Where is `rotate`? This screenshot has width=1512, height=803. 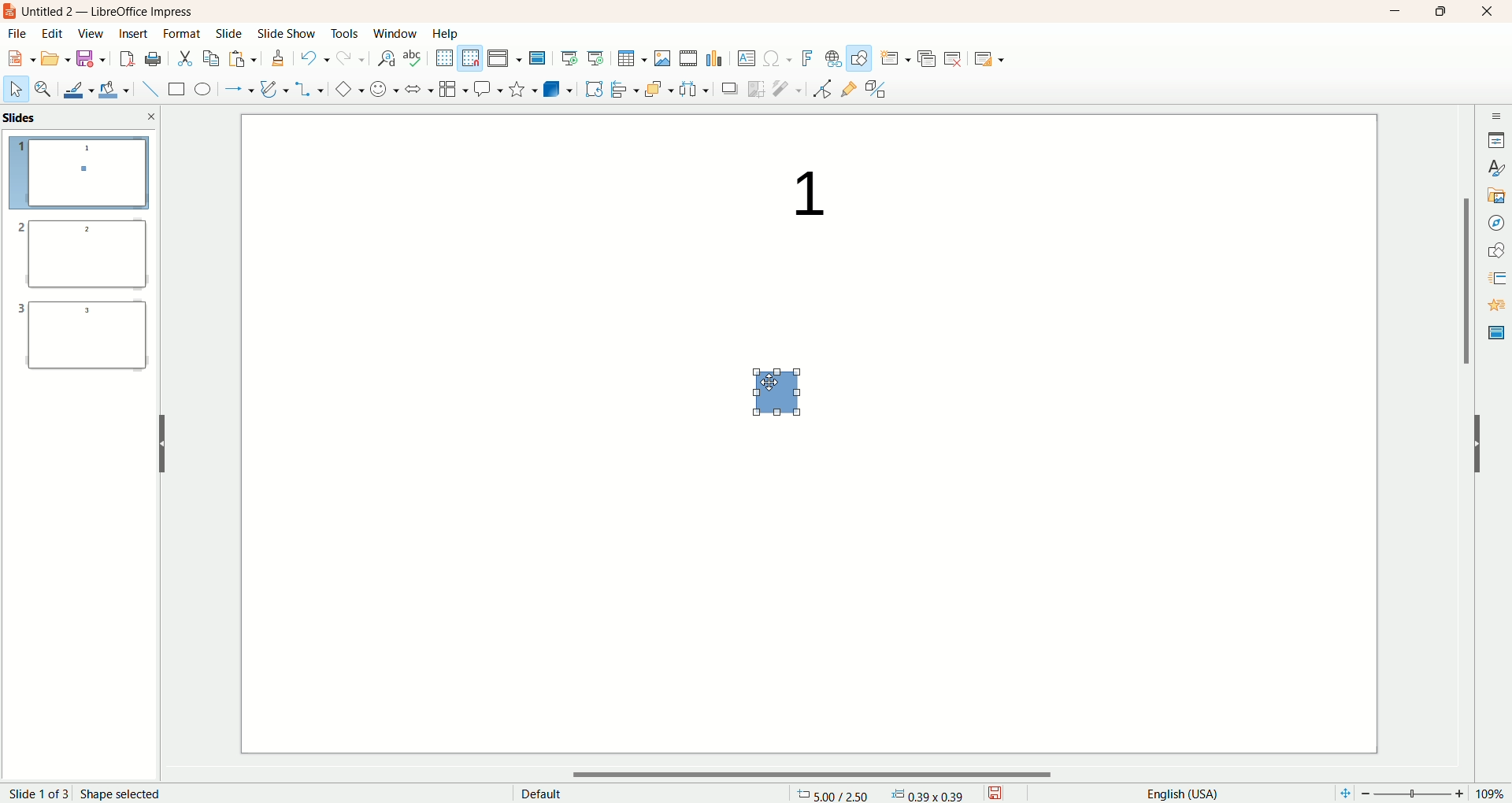
rotate is located at coordinates (594, 88).